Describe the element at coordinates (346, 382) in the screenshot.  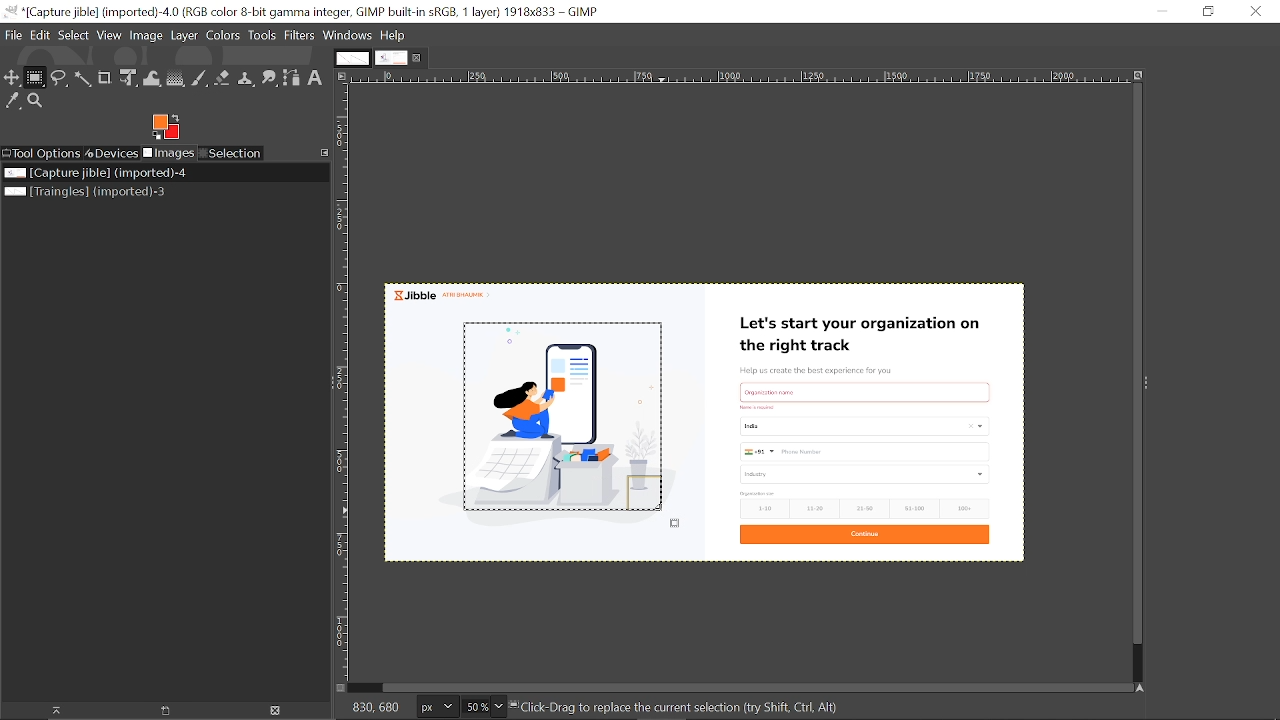
I see `Vertical label` at that location.